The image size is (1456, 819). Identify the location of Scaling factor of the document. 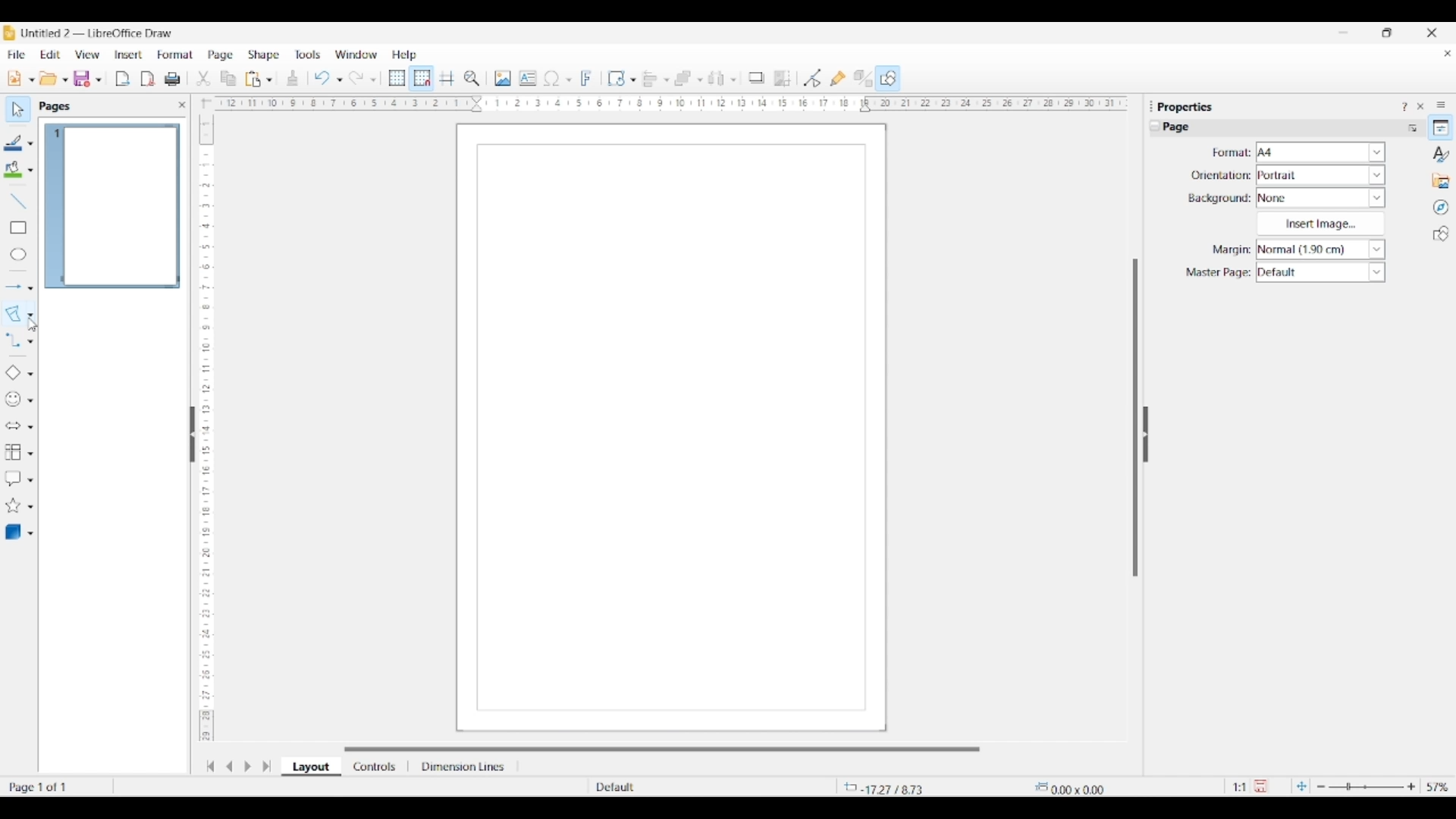
(1240, 787).